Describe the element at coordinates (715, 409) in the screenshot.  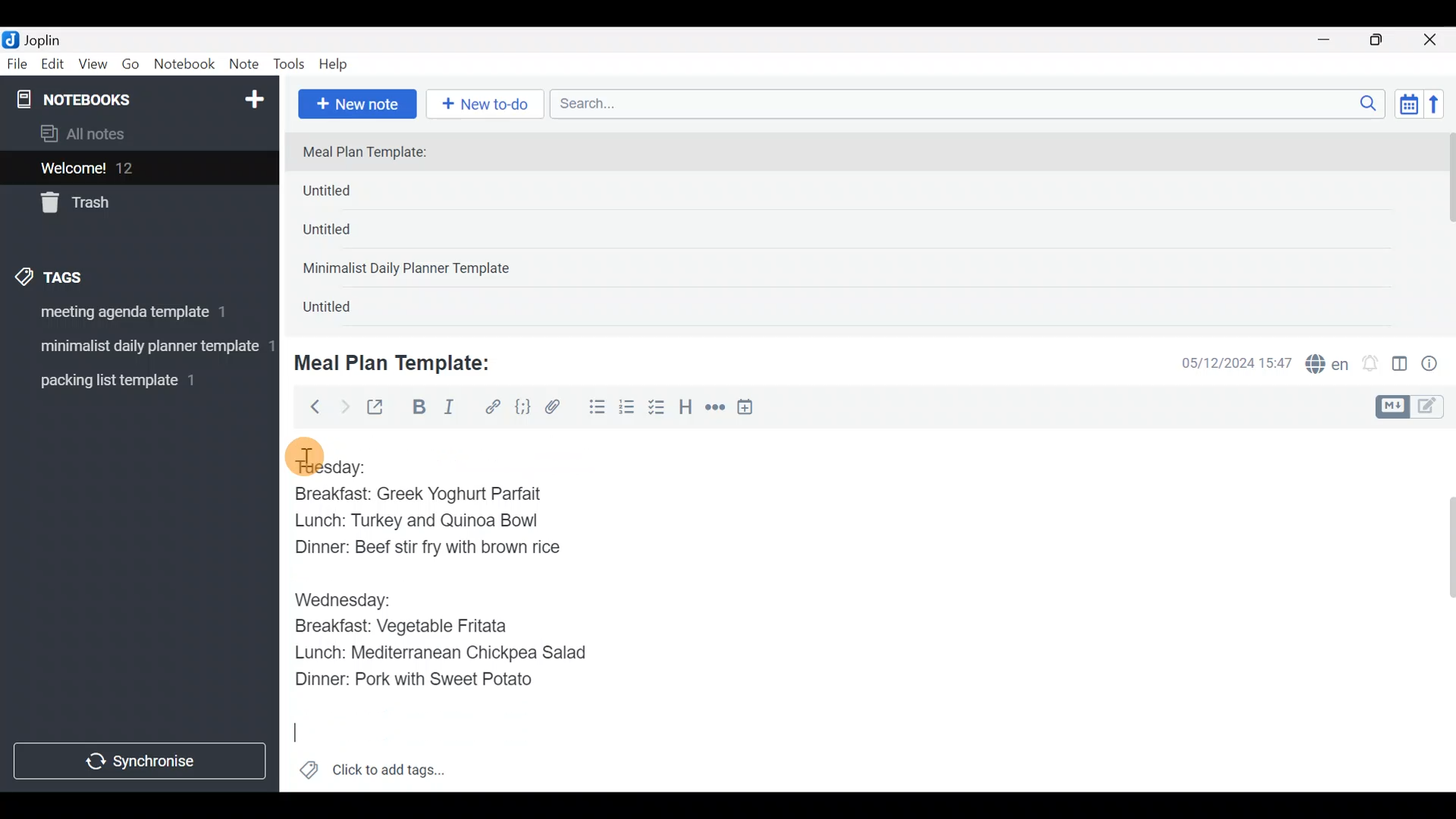
I see `Horizontal rule` at that location.